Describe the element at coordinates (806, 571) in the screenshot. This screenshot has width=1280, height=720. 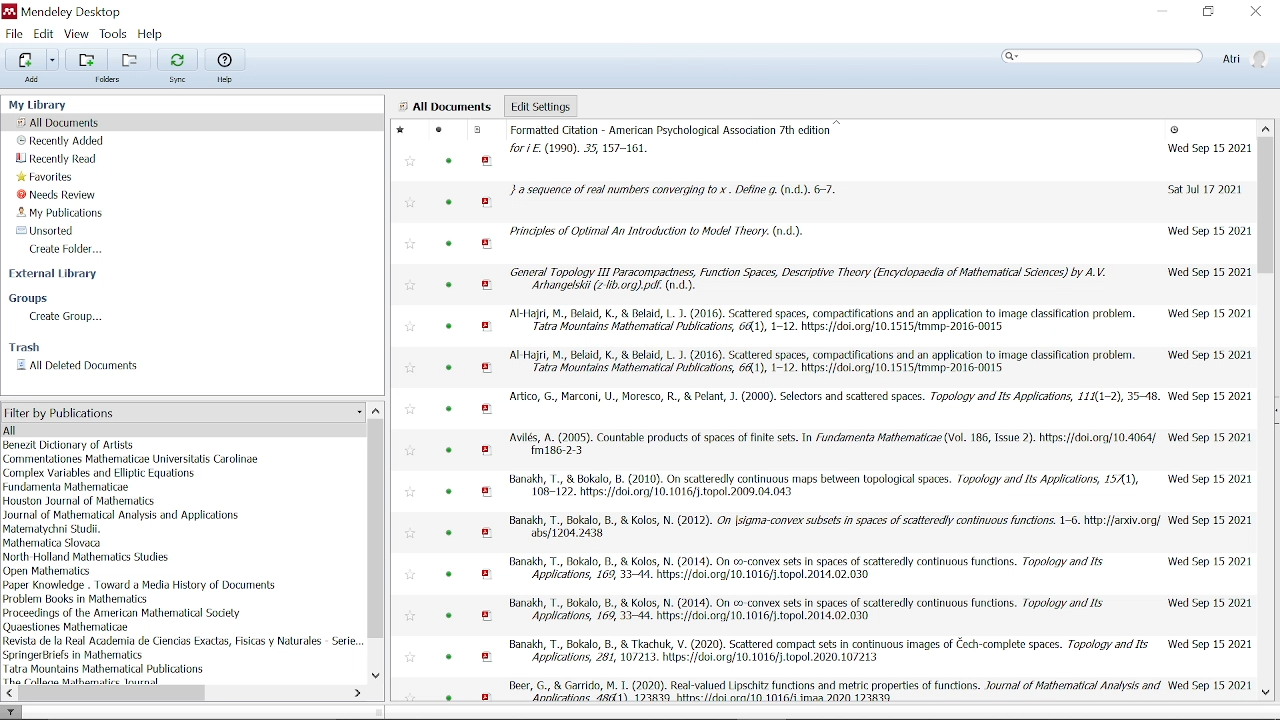
I see `citation` at that location.